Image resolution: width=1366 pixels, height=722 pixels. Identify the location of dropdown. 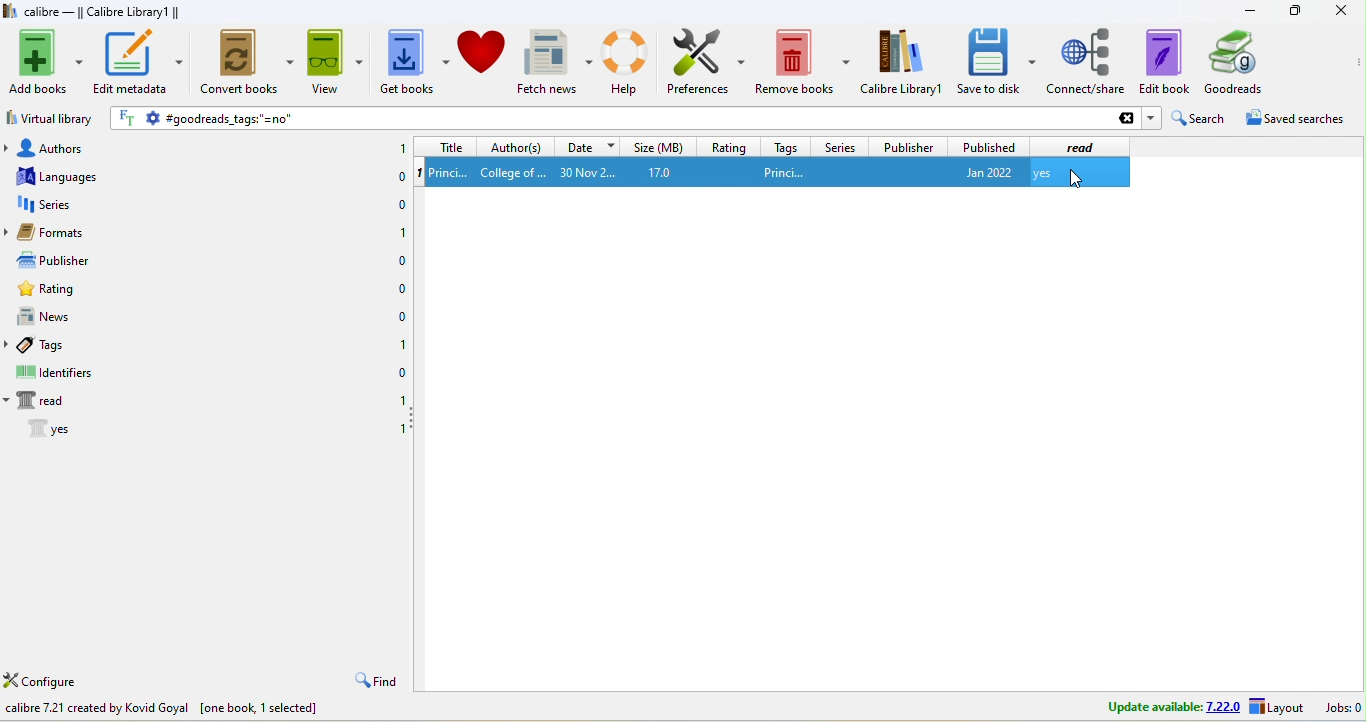
(1151, 118).